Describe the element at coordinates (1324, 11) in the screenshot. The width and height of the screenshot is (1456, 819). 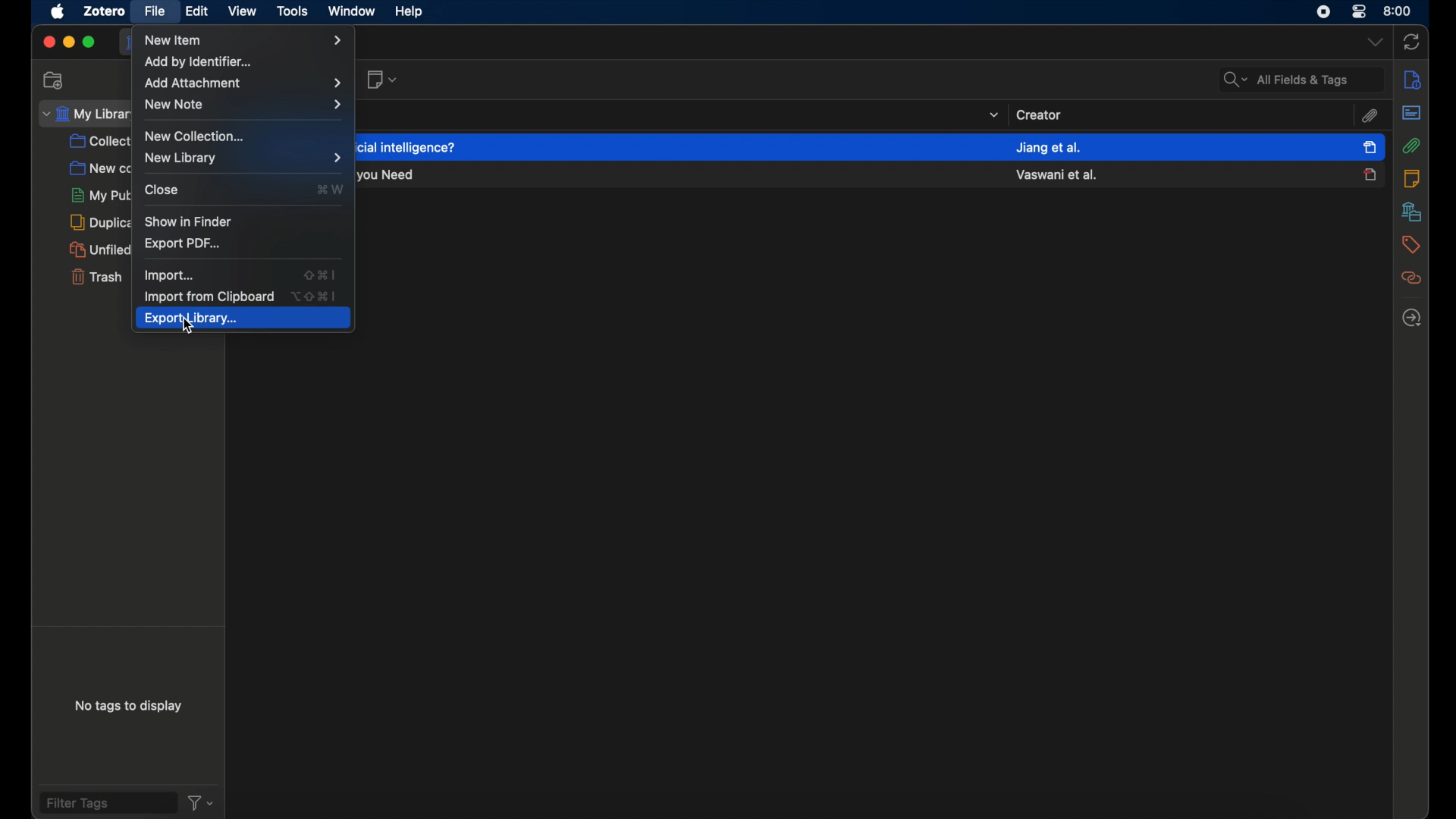
I see `screen recorder` at that location.